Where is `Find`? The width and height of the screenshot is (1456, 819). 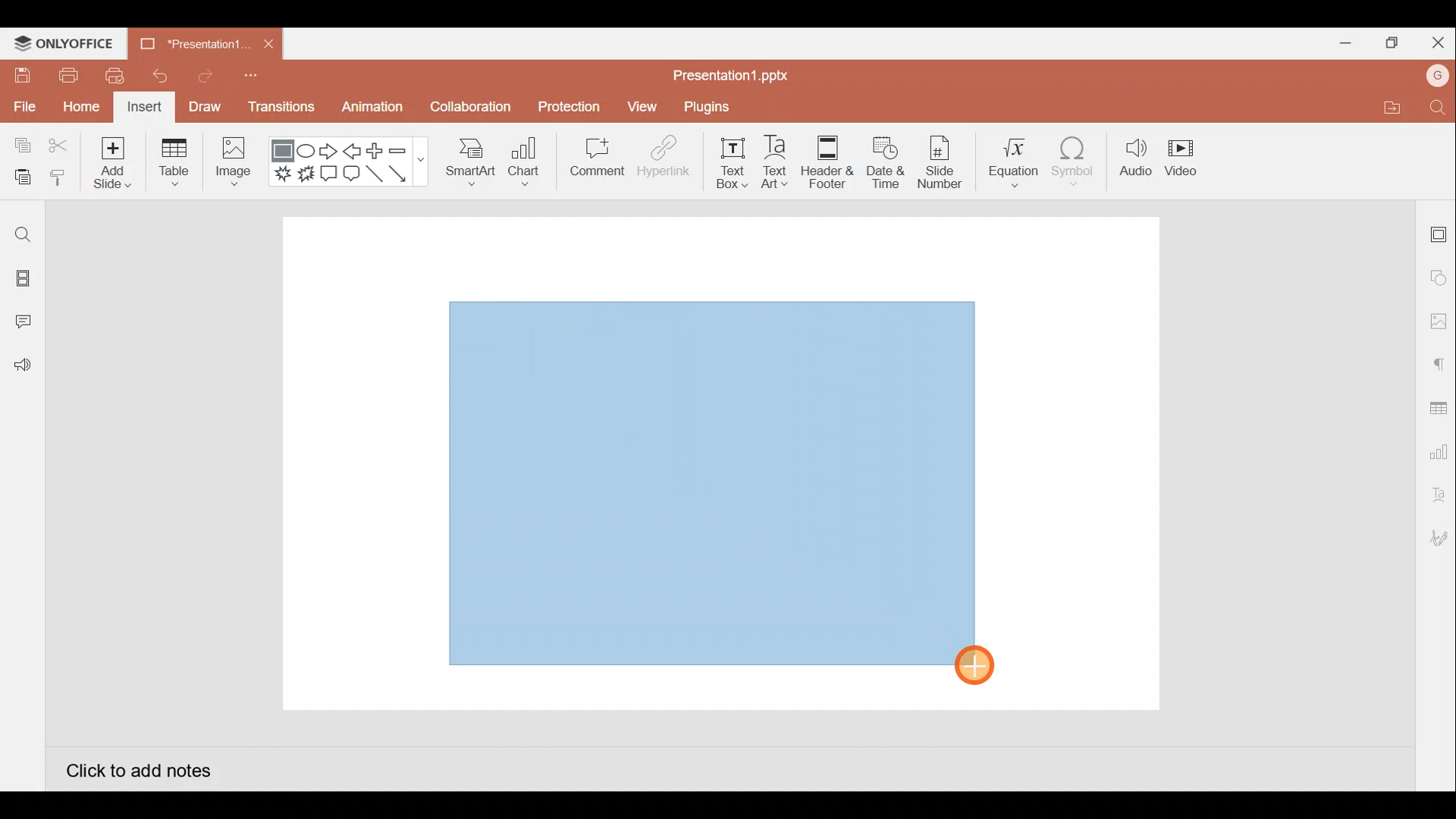
Find is located at coordinates (1439, 107).